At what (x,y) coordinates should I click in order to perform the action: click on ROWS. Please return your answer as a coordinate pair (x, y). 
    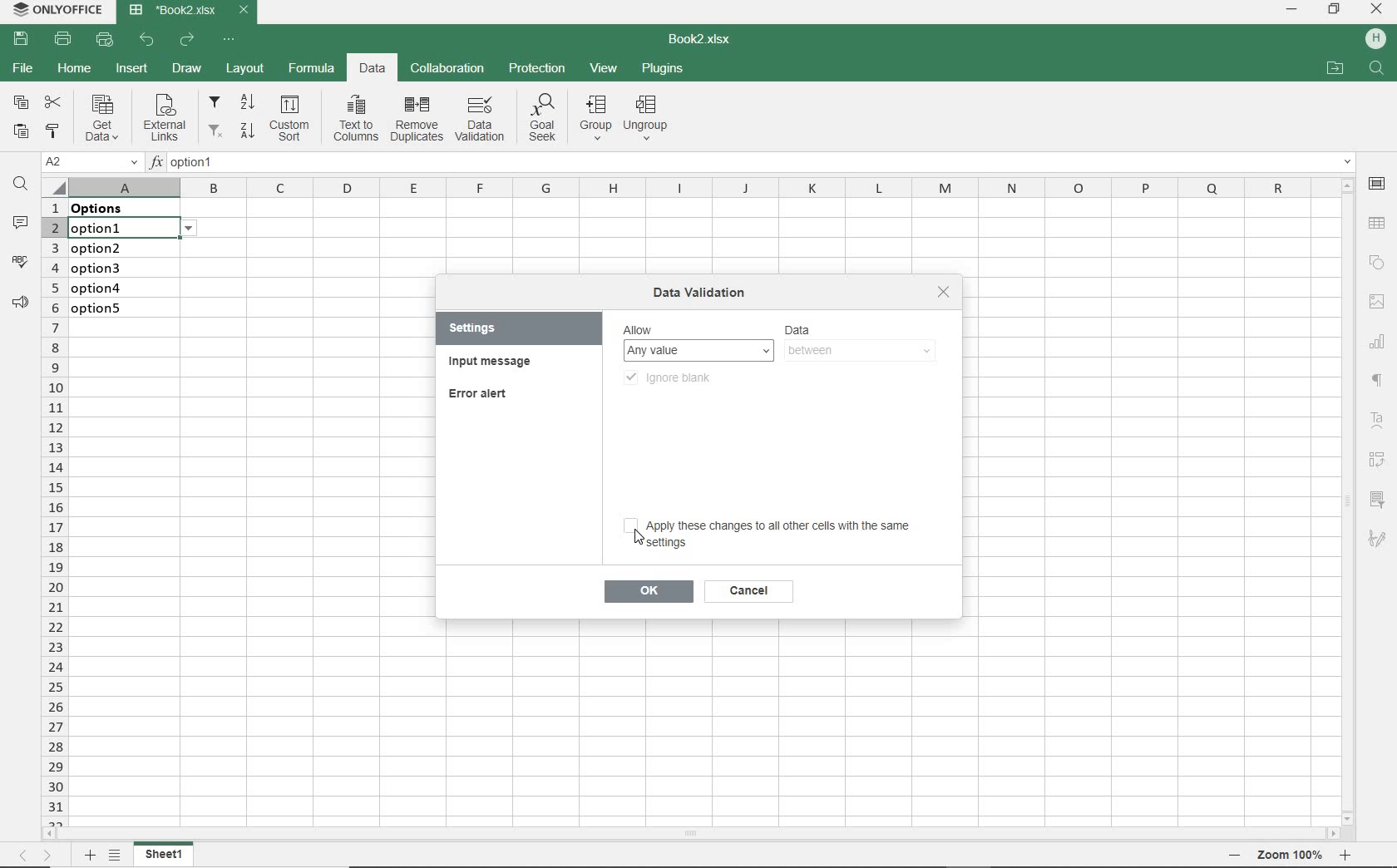
    Looking at the image, I should click on (53, 511).